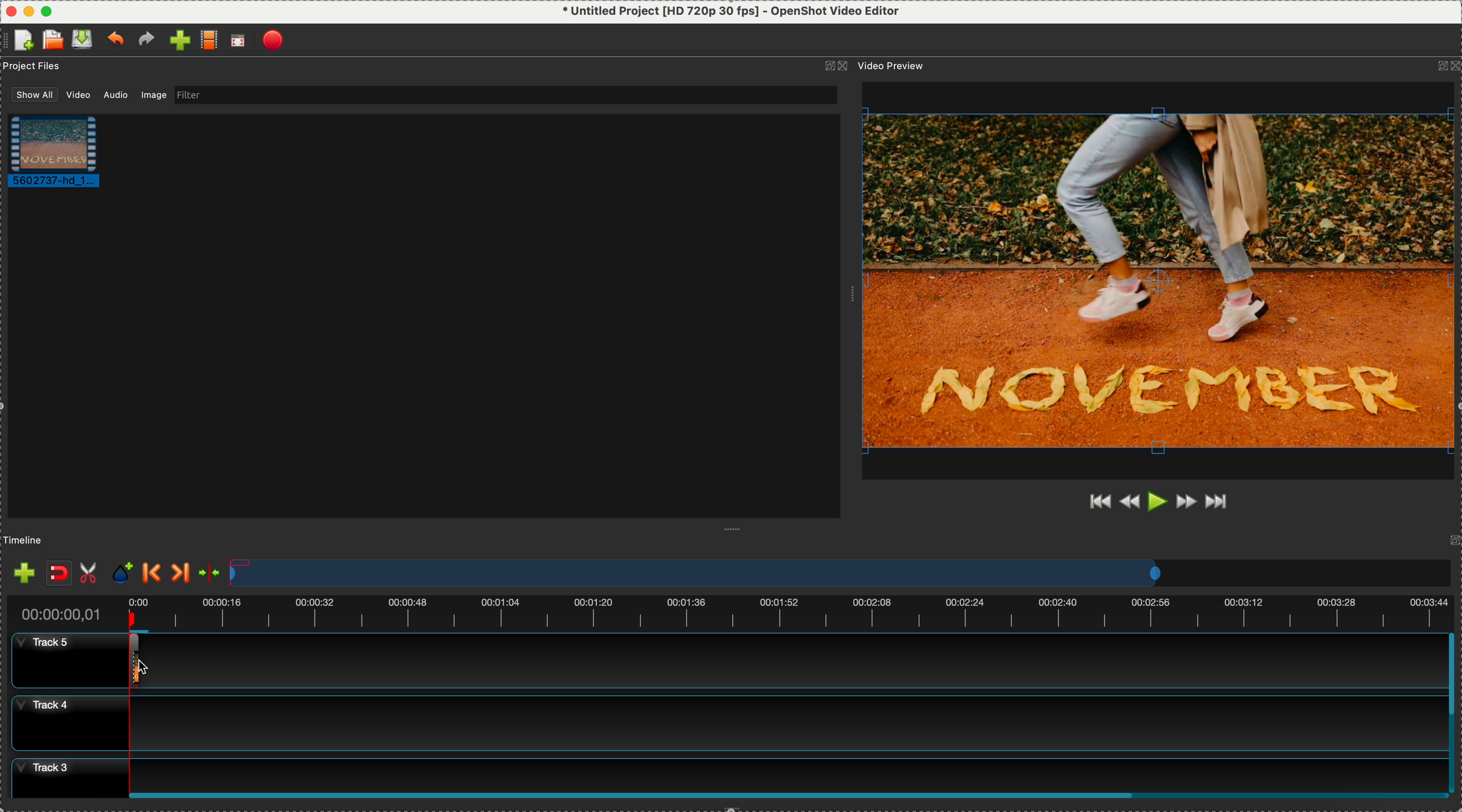  I want to click on center the timeline on the playhead, so click(211, 573).